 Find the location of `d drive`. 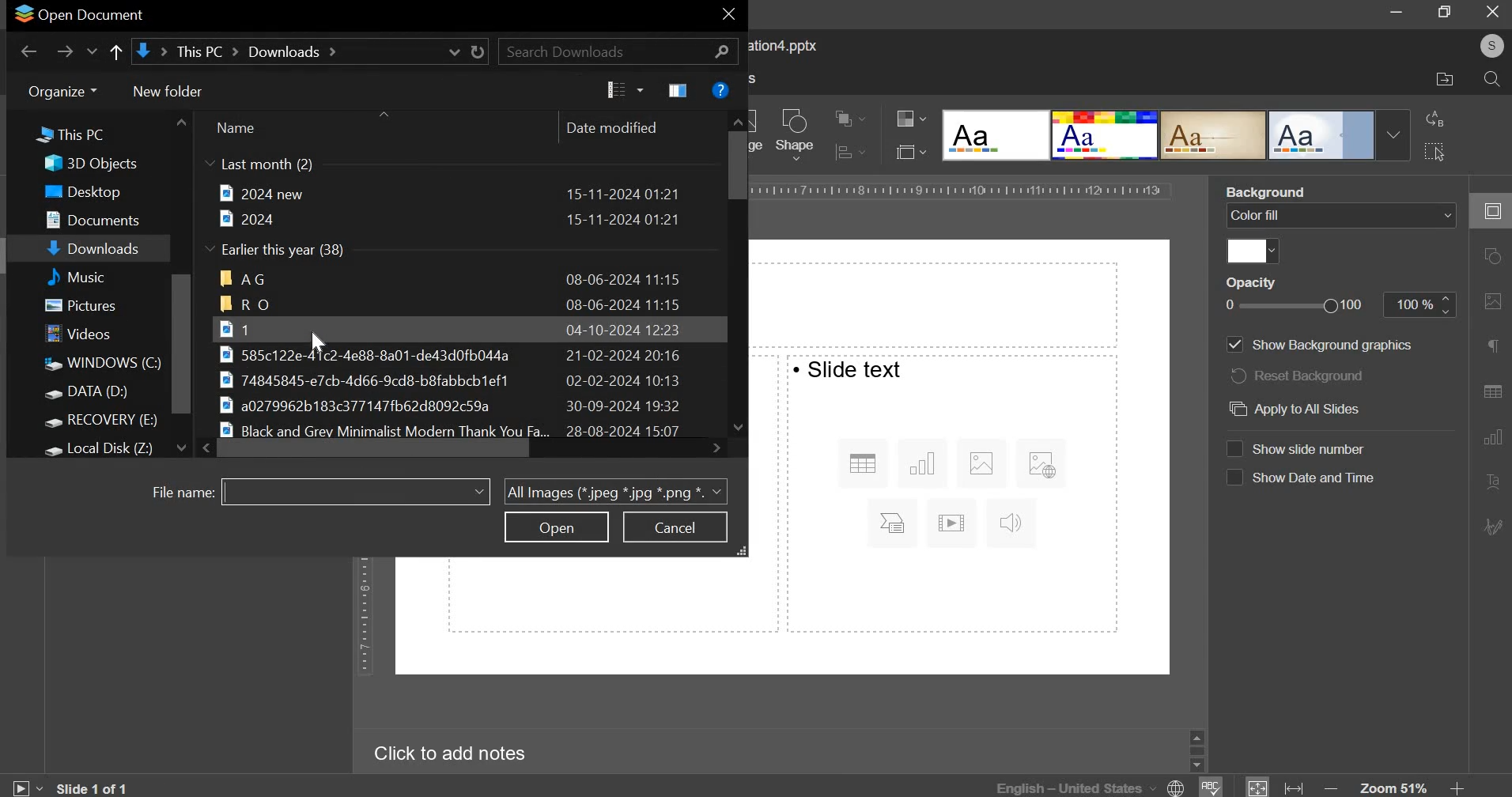

d drive is located at coordinates (96, 394).